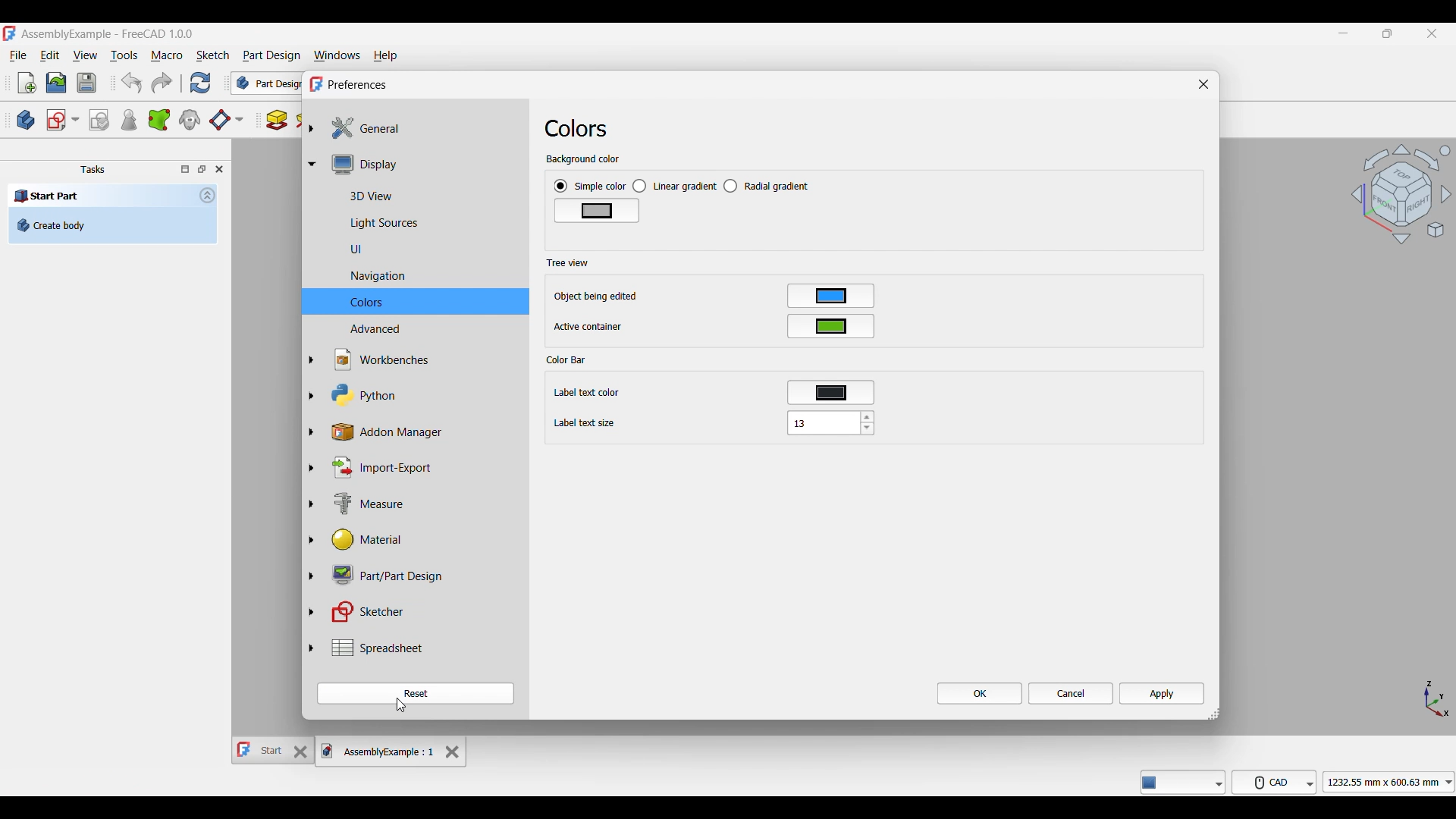  What do you see at coordinates (301, 752) in the screenshot?
I see `Close Start tab` at bounding box center [301, 752].